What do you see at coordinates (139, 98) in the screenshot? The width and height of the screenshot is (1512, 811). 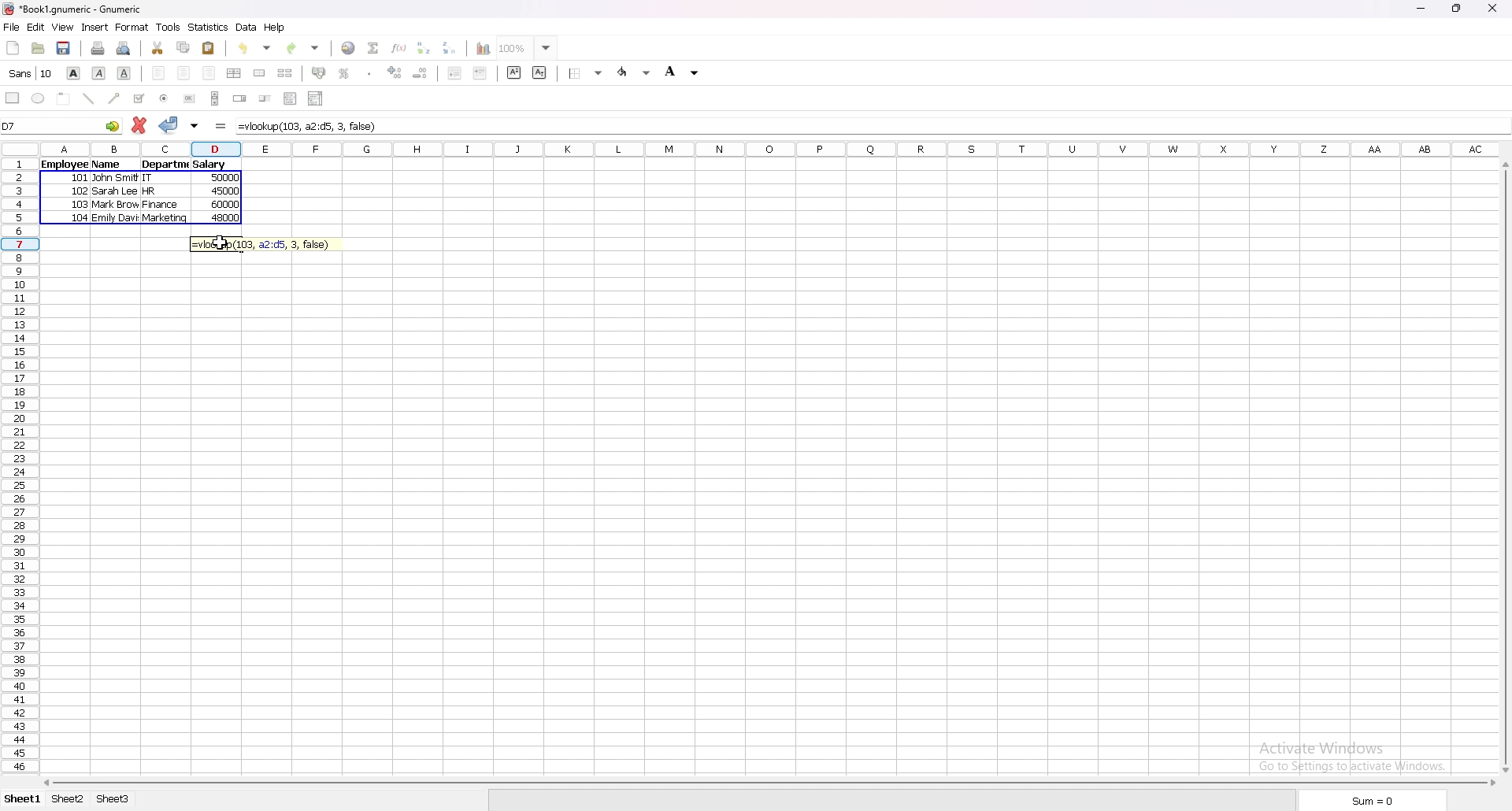 I see `tickbox` at bounding box center [139, 98].